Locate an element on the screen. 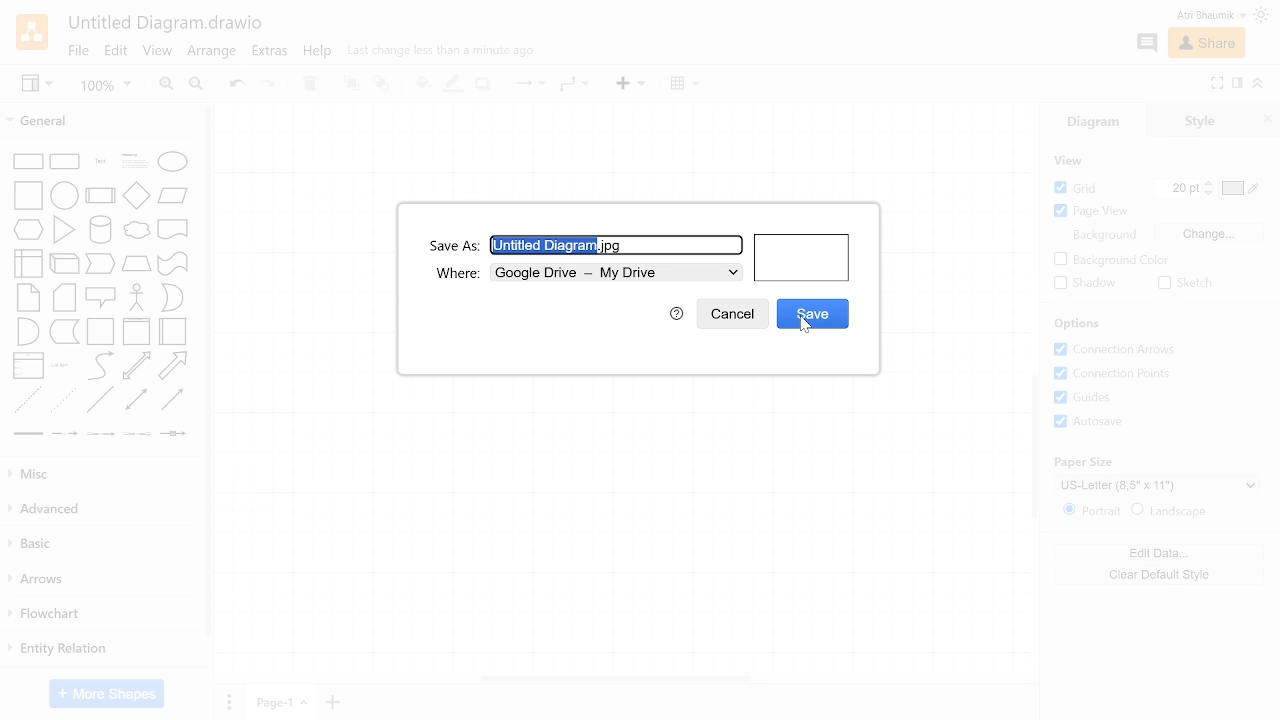  More shapes is located at coordinates (105, 693).